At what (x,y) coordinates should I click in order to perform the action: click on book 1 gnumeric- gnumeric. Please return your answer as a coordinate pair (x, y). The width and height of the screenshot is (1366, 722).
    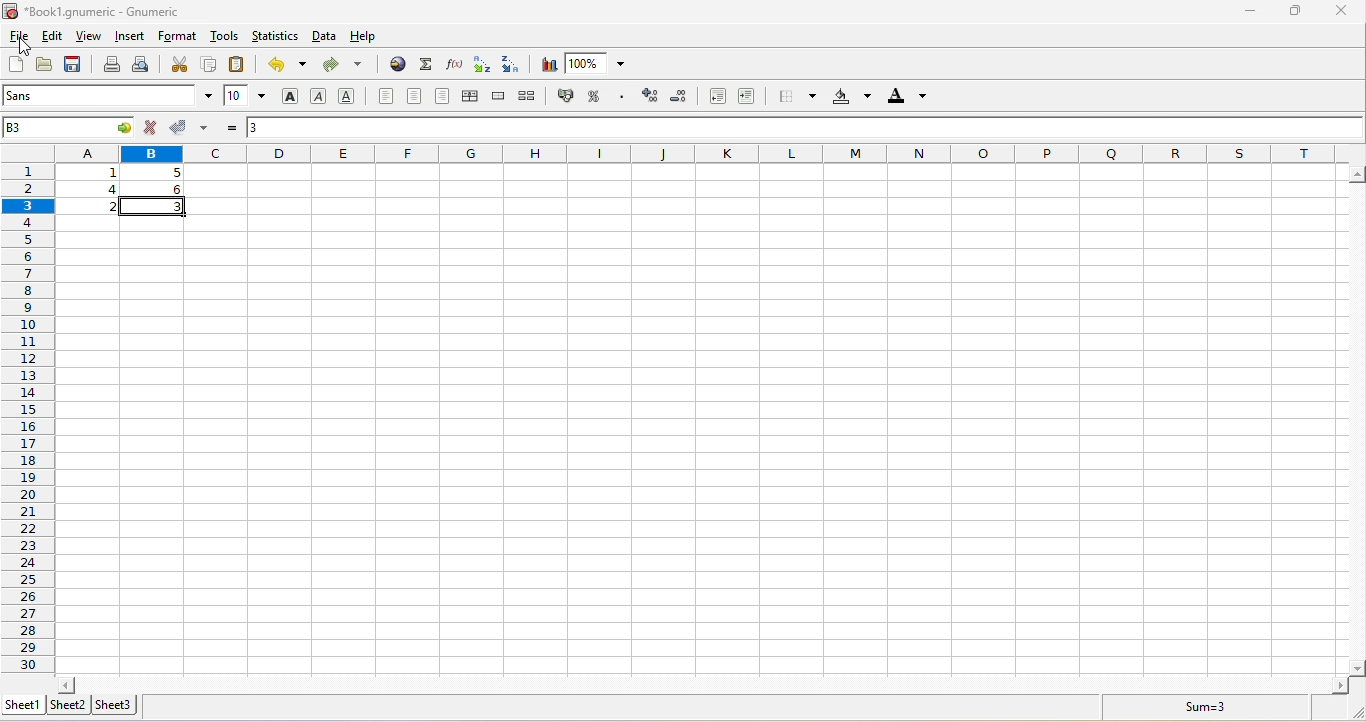
    Looking at the image, I should click on (102, 10).